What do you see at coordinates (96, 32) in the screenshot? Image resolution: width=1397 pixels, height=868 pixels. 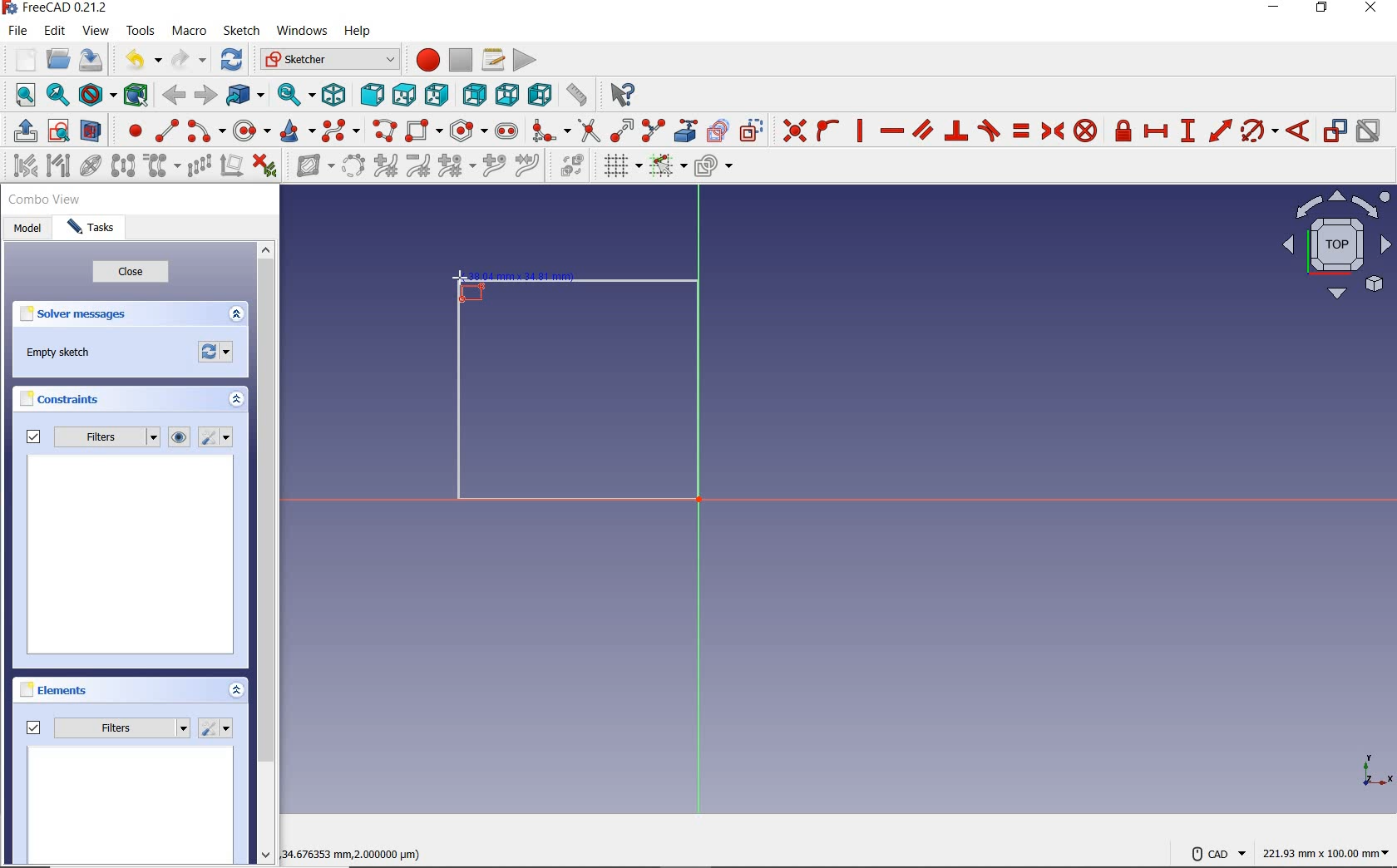 I see `view` at bounding box center [96, 32].